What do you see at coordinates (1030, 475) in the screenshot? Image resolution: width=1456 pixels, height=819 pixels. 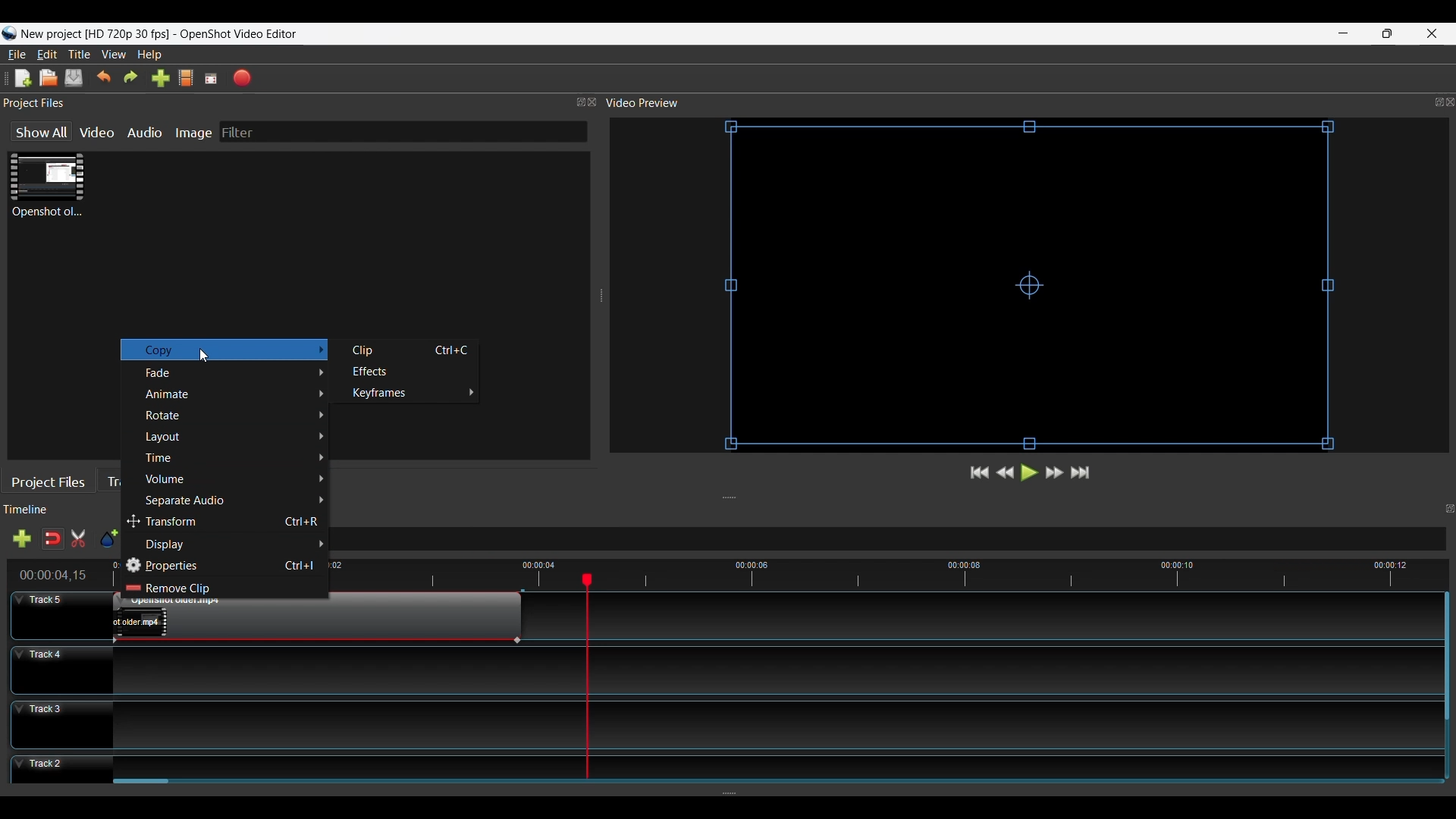 I see `Play` at bounding box center [1030, 475].